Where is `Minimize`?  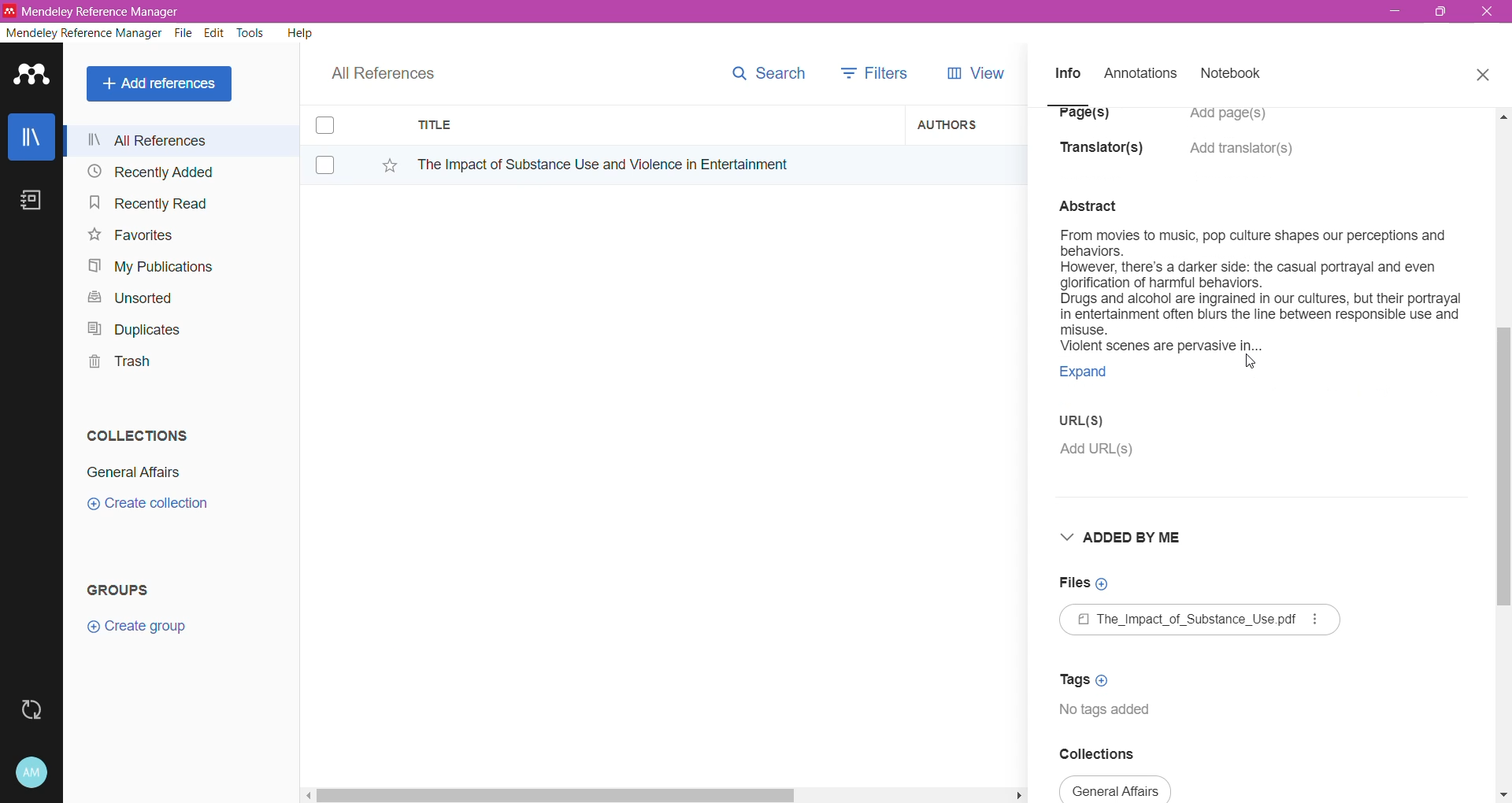 Minimize is located at coordinates (1395, 12).